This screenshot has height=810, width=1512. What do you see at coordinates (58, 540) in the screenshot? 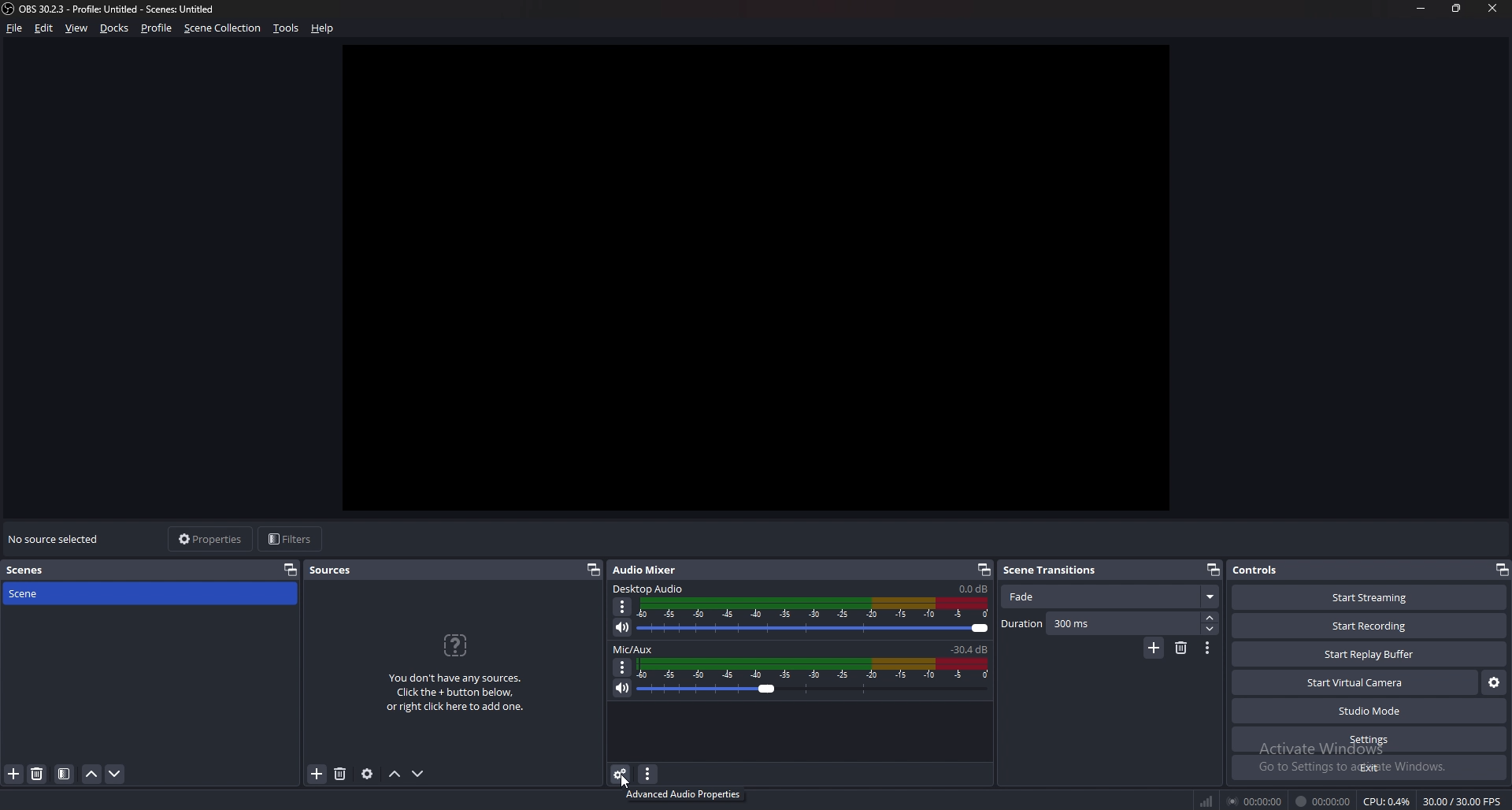
I see `no source selected` at bounding box center [58, 540].